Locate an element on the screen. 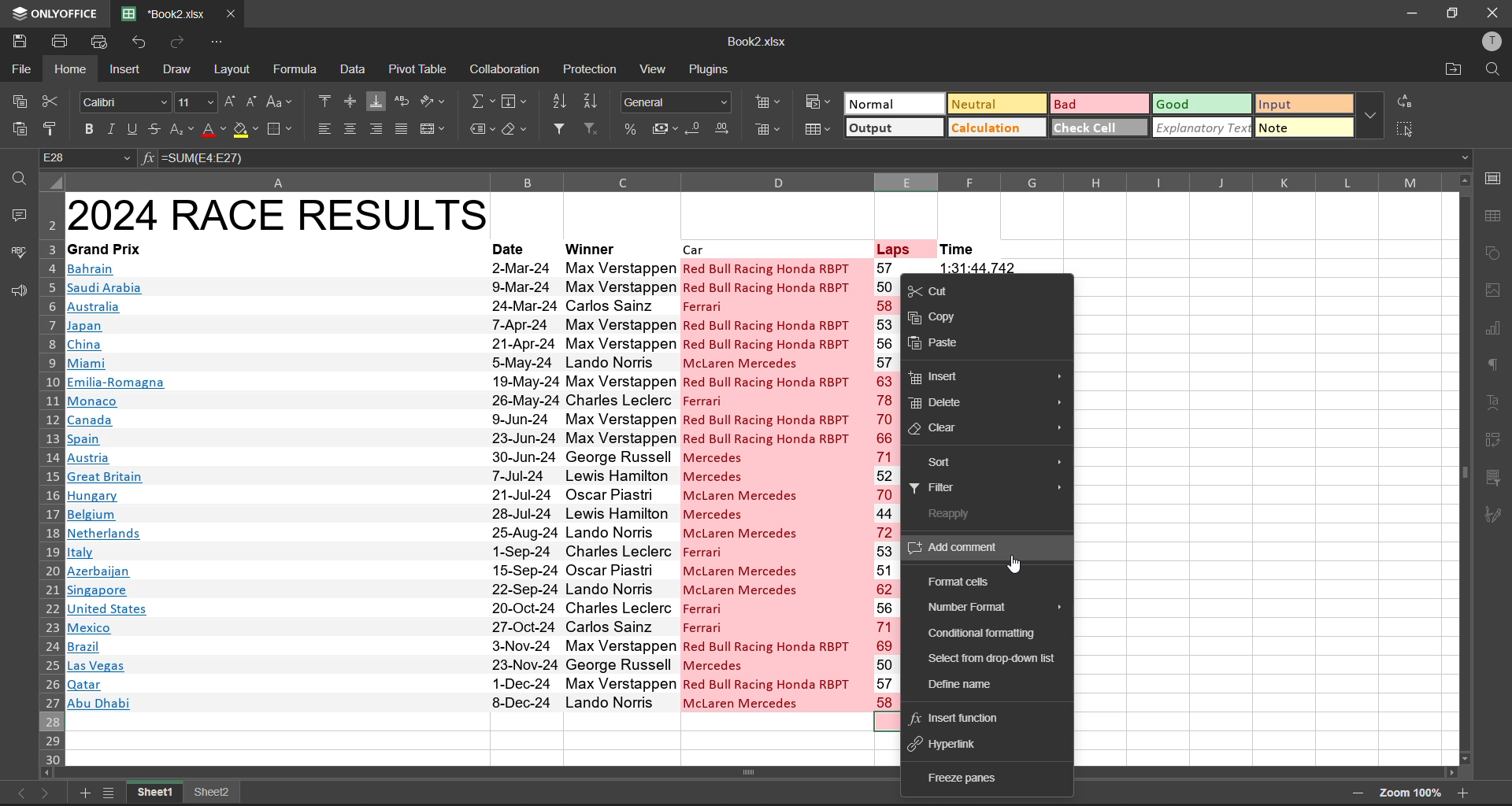 This screenshot has width=1512, height=806. laps is located at coordinates (885, 485).